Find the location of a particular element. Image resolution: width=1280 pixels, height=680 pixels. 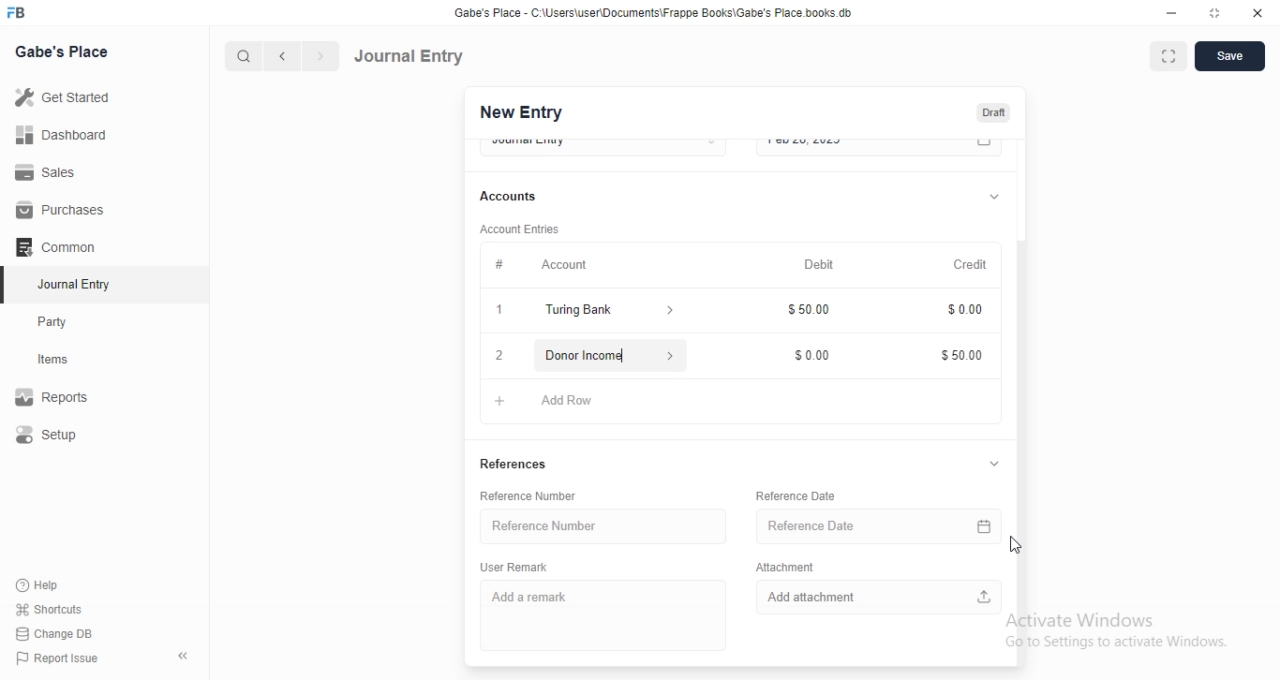

Add Row is located at coordinates (557, 398).